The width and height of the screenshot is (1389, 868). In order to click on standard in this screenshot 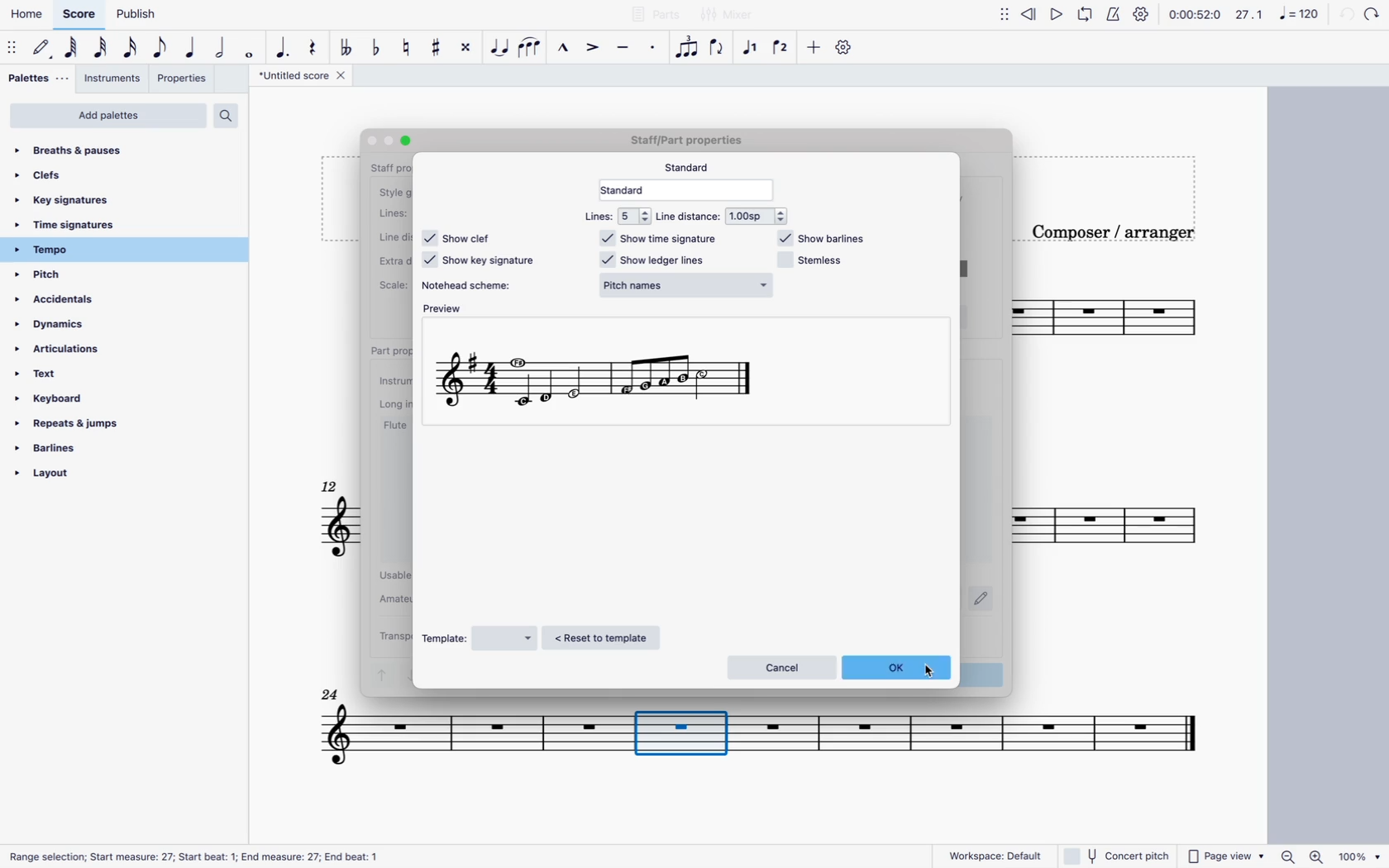, I will do `click(692, 167)`.